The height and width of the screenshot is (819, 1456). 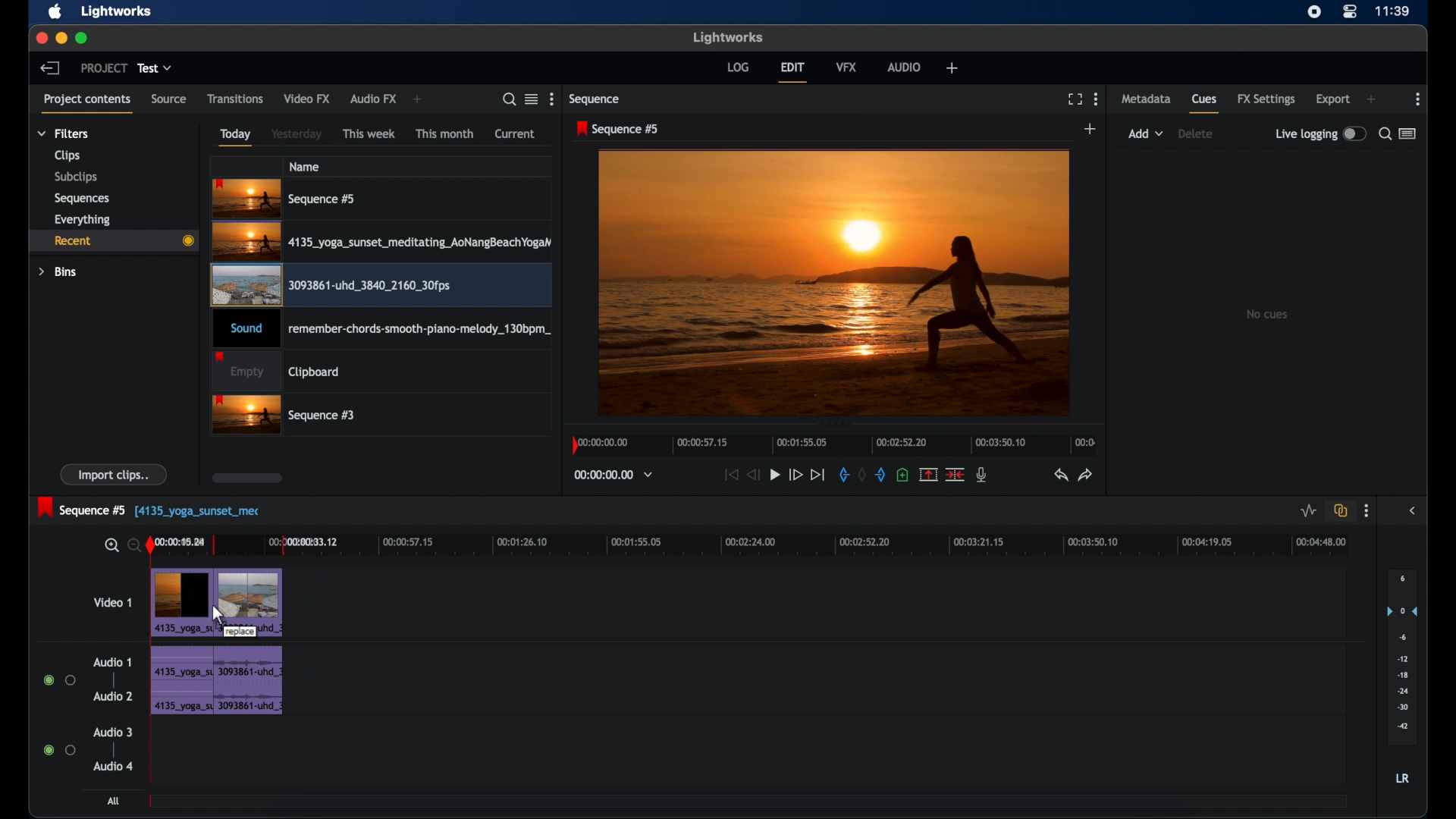 I want to click on radio buttons, so click(x=59, y=680).